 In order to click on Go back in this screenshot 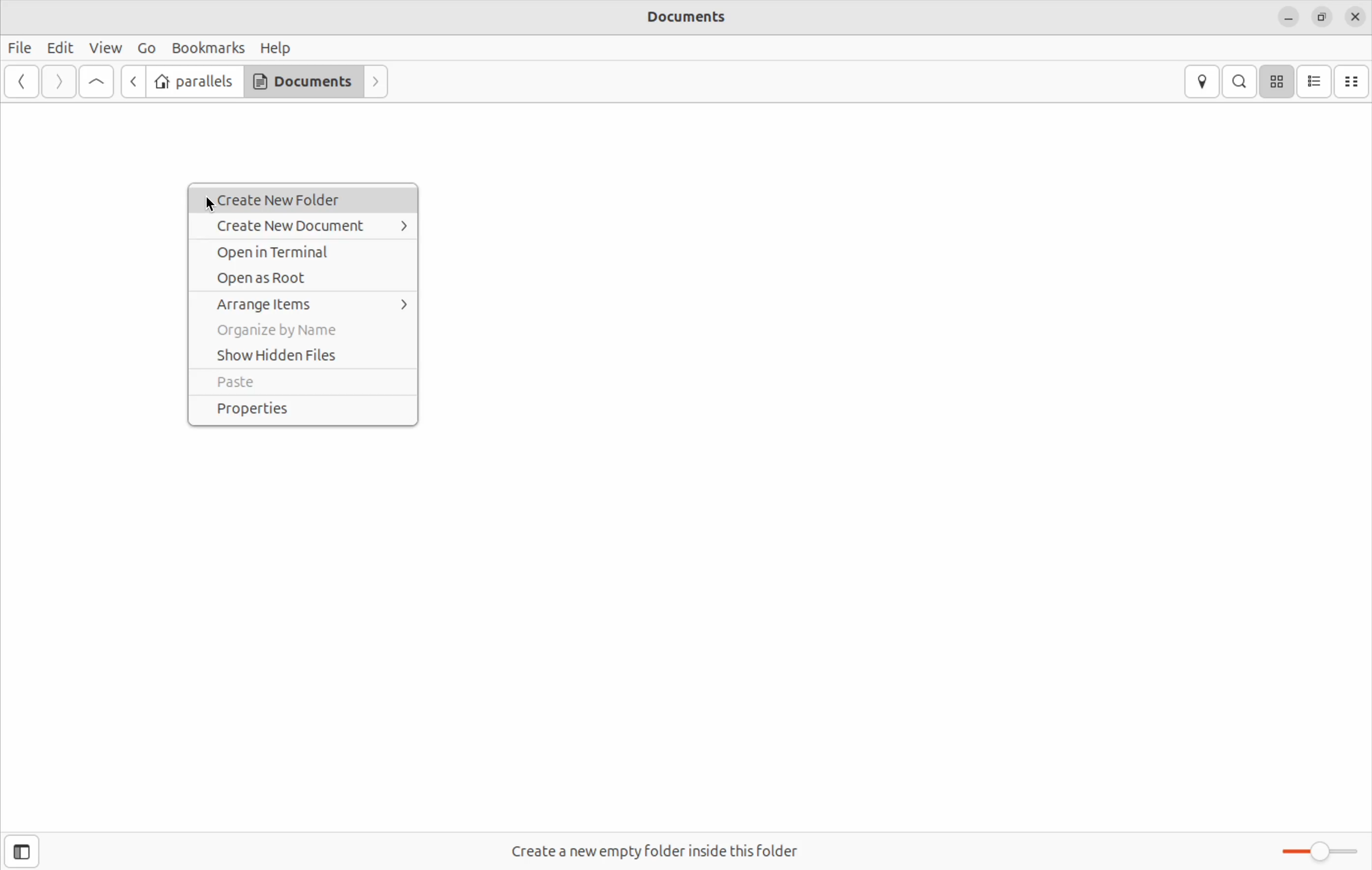, I will do `click(132, 81)`.